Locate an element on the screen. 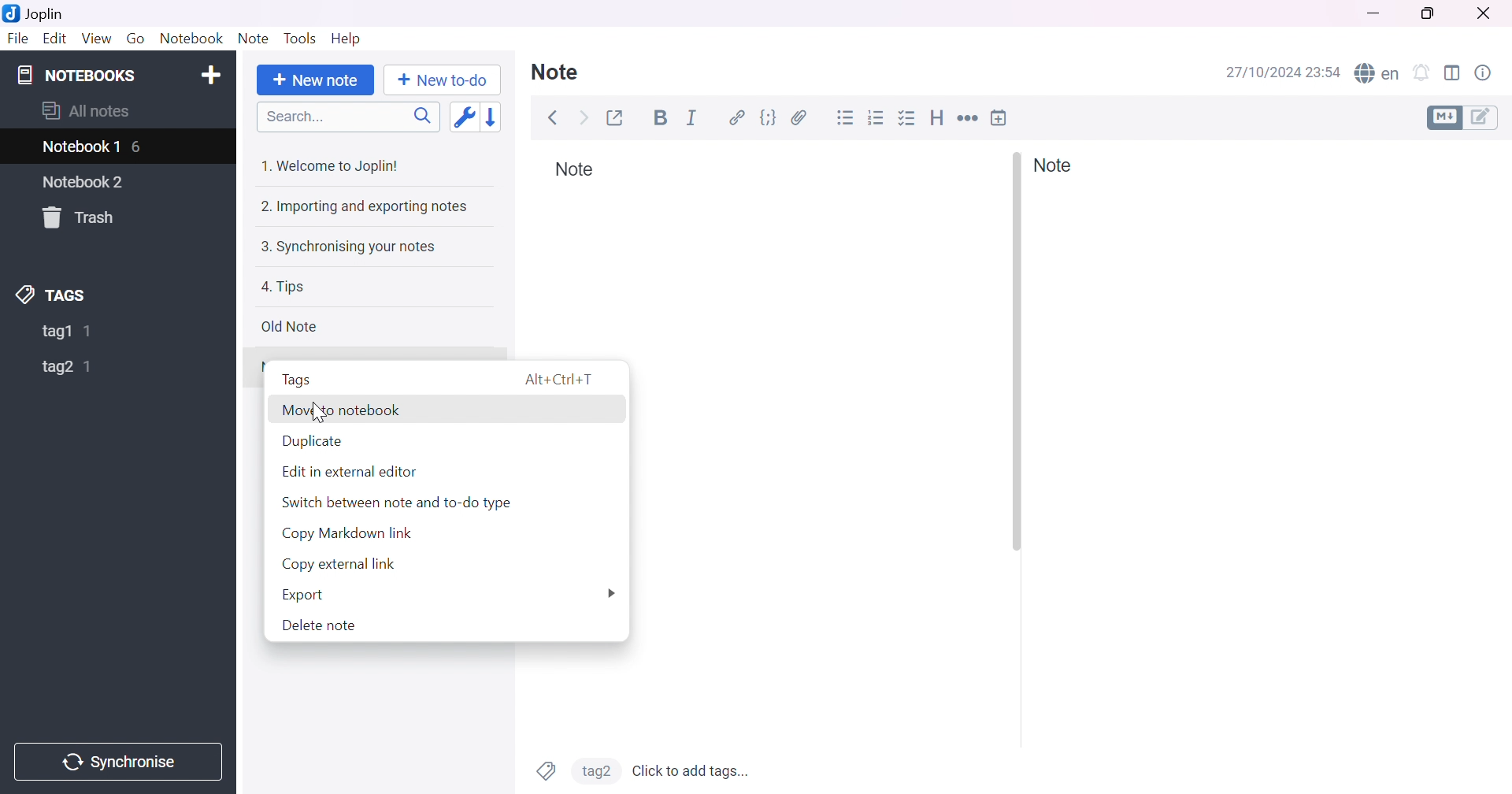 The height and width of the screenshot is (794, 1512). Export is located at coordinates (301, 597).